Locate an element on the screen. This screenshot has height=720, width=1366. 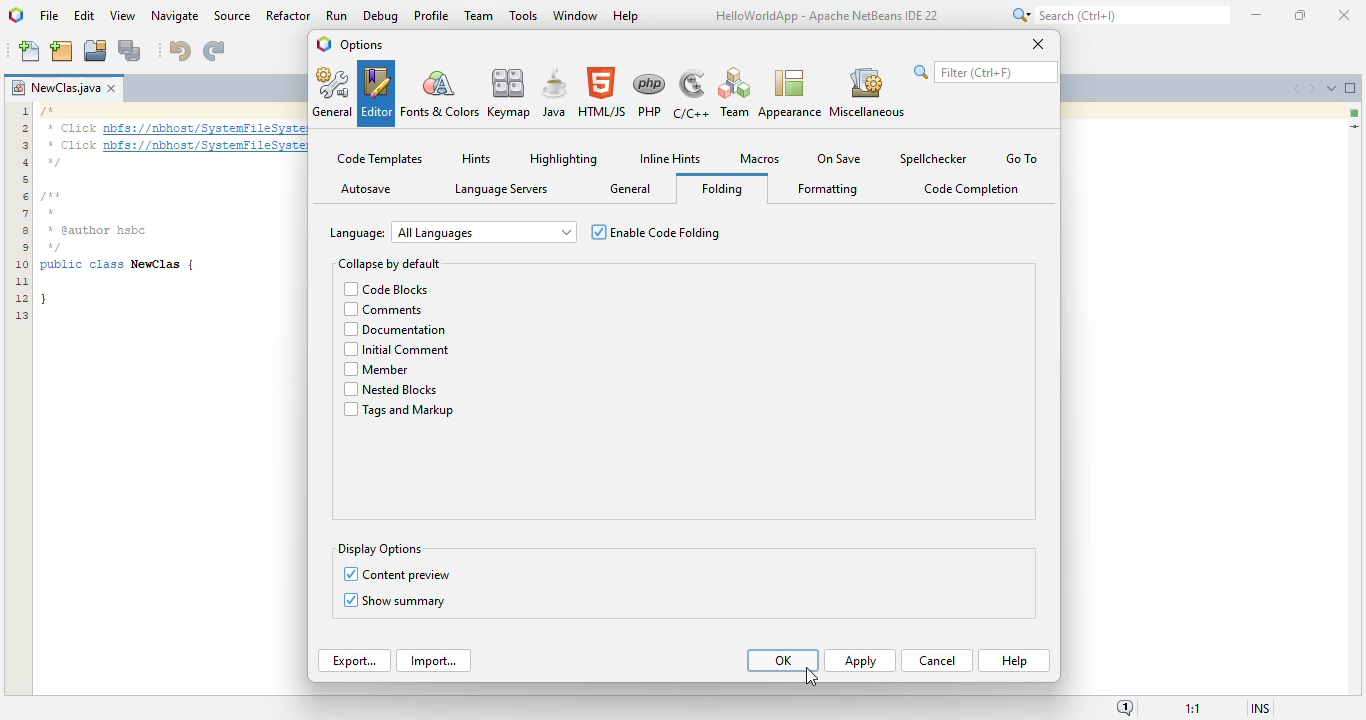
Line numbers is located at coordinates (20, 214).